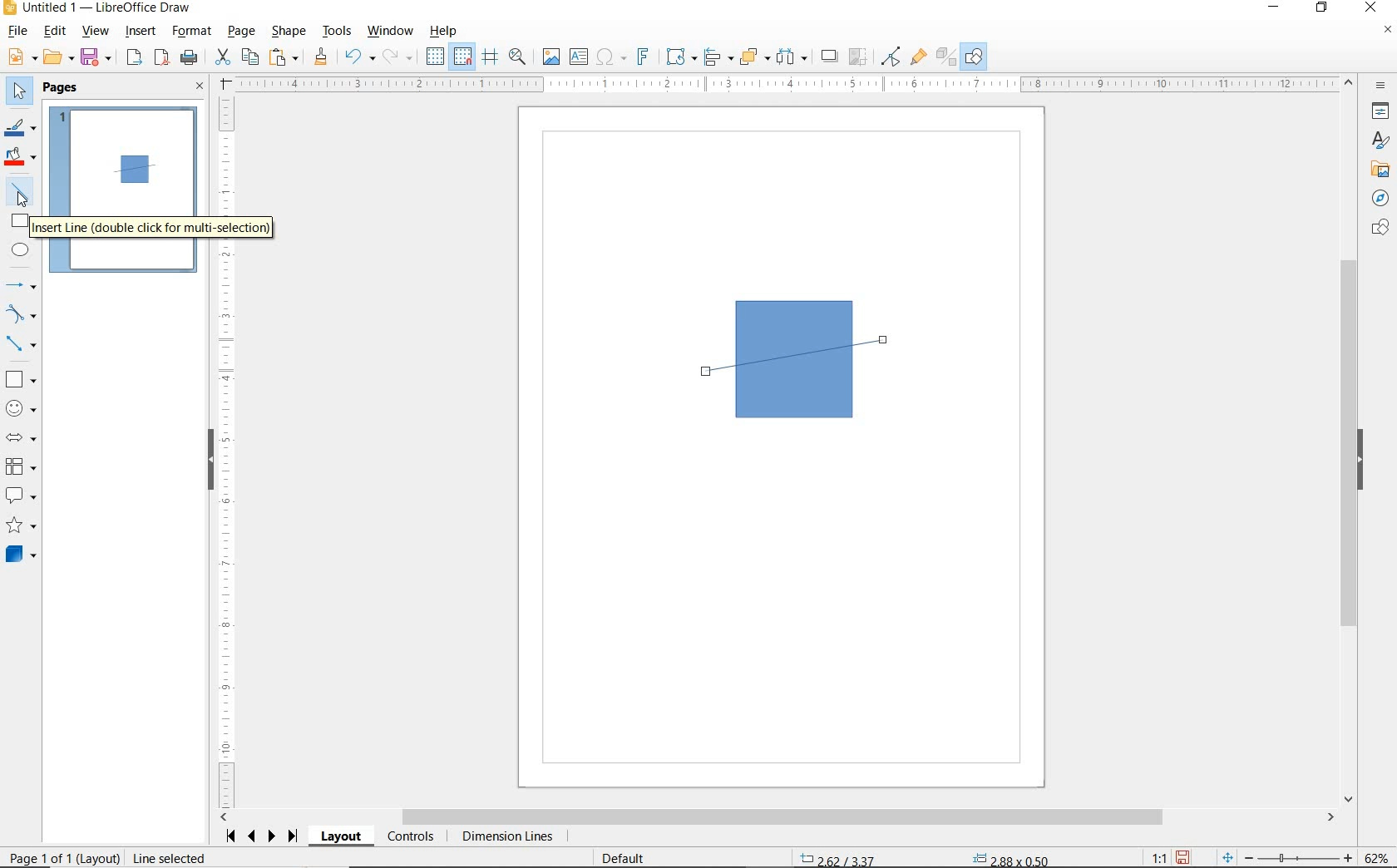  What do you see at coordinates (22, 191) in the screenshot?
I see `INSERT LINE` at bounding box center [22, 191].